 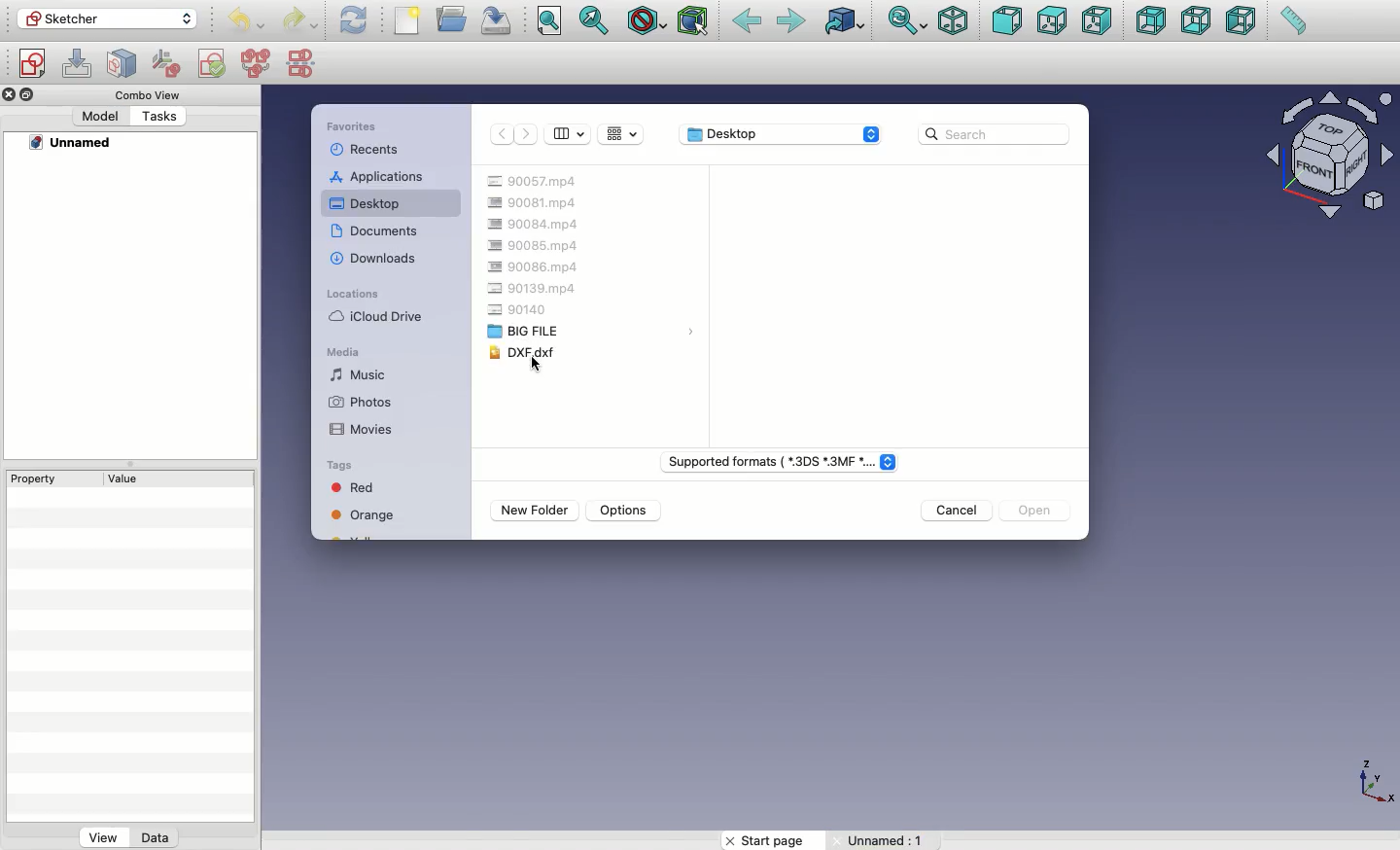 I want to click on Favorites, so click(x=365, y=126).